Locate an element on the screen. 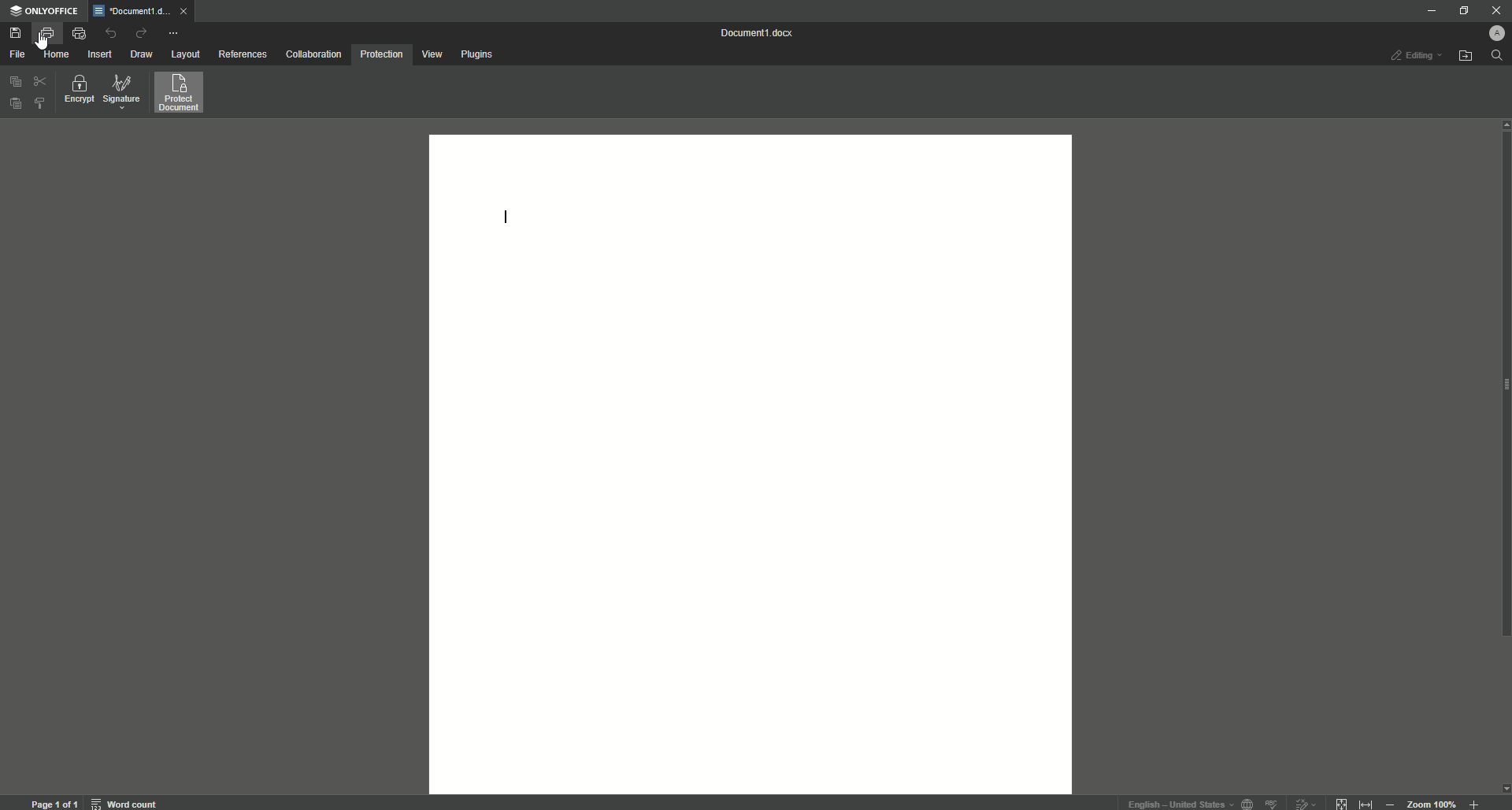 This screenshot has width=1512, height=810. page 1 of 1 is located at coordinates (54, 803).